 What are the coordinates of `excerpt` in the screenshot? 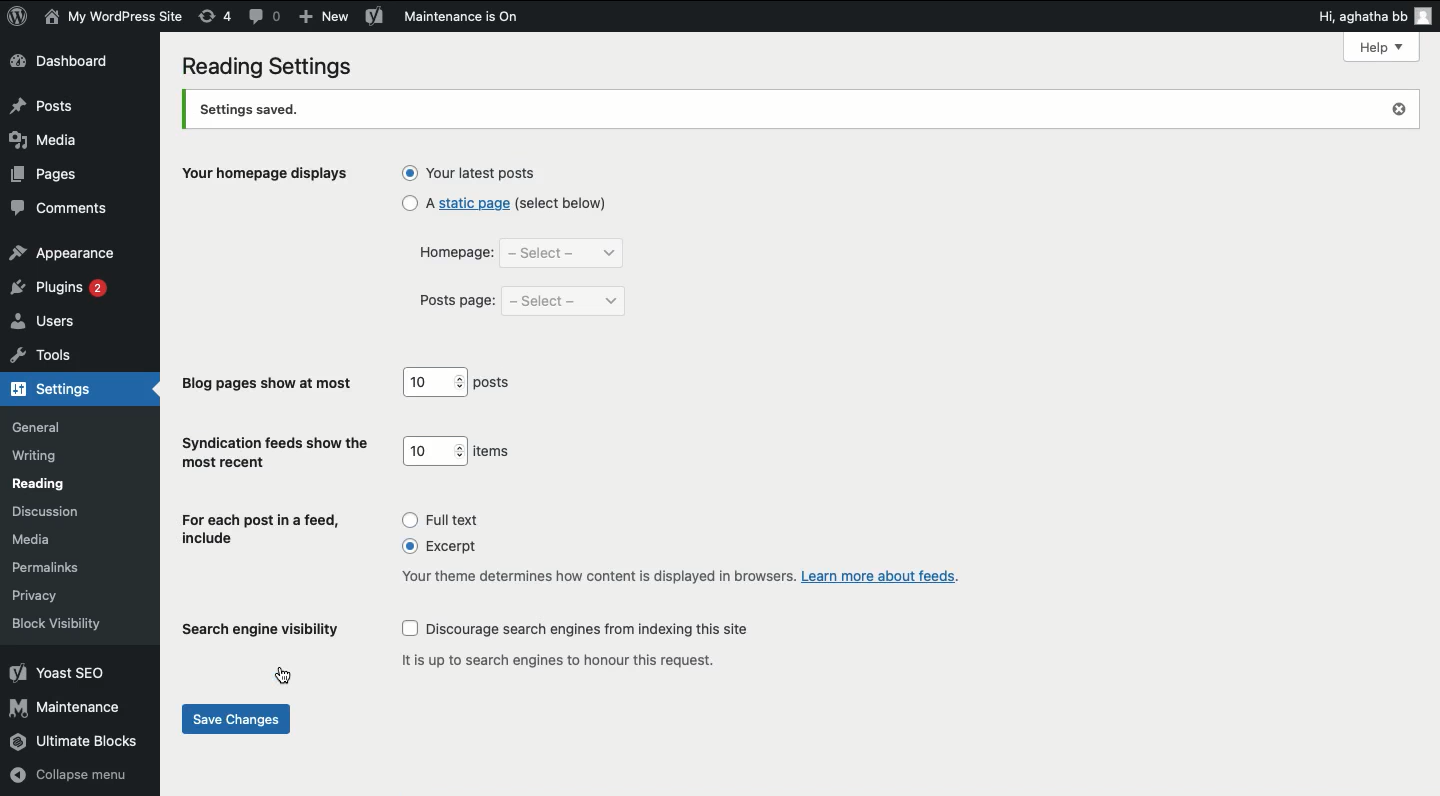 It's located at (445, 545).